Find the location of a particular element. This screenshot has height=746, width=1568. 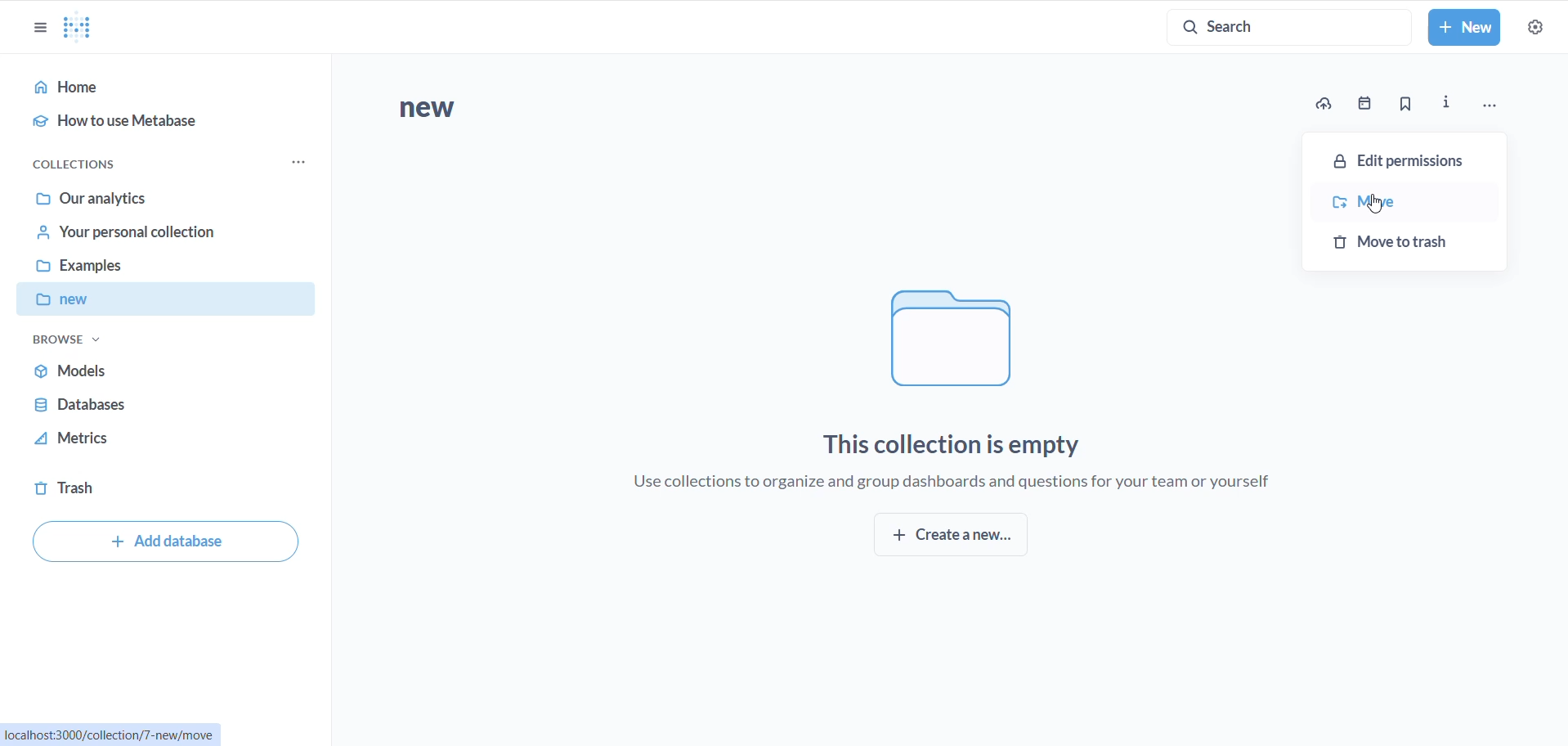

NEW BUTTON is located at coordinates (1465, 29).